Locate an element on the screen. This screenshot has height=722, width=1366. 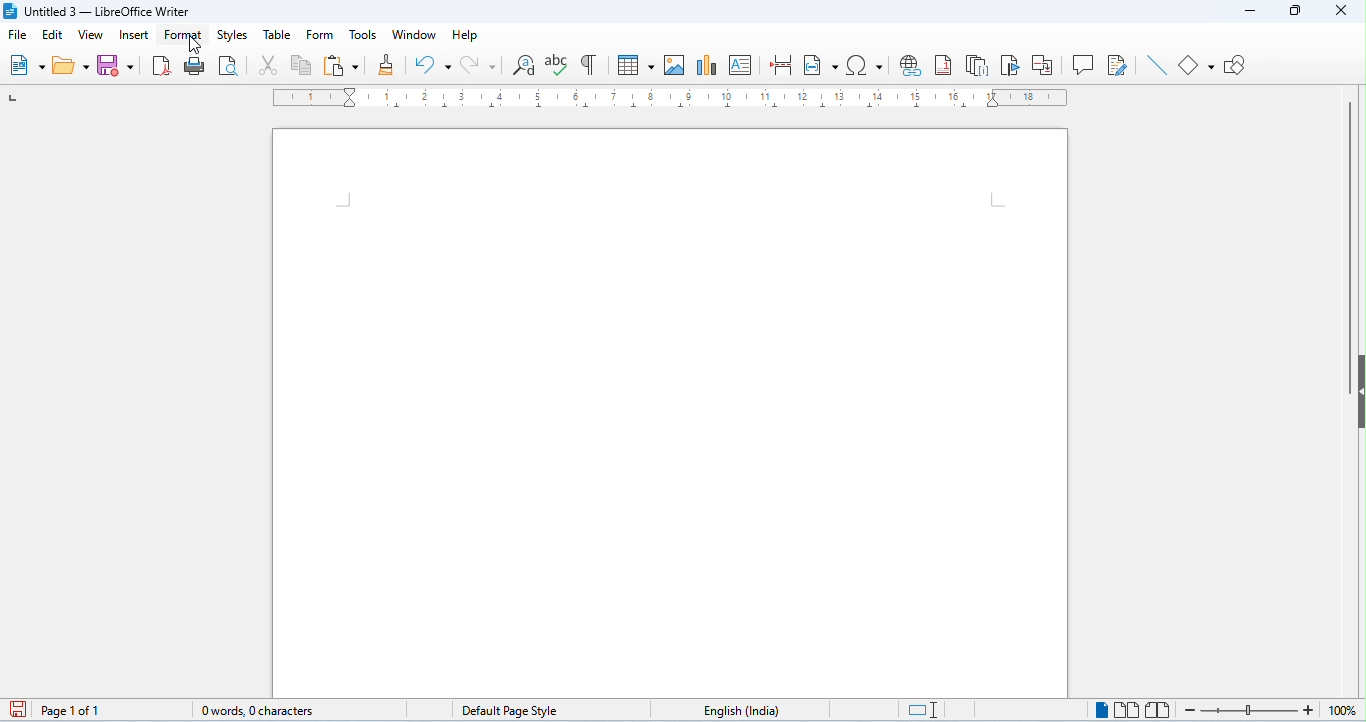
table is located at coordinates (279, 35).